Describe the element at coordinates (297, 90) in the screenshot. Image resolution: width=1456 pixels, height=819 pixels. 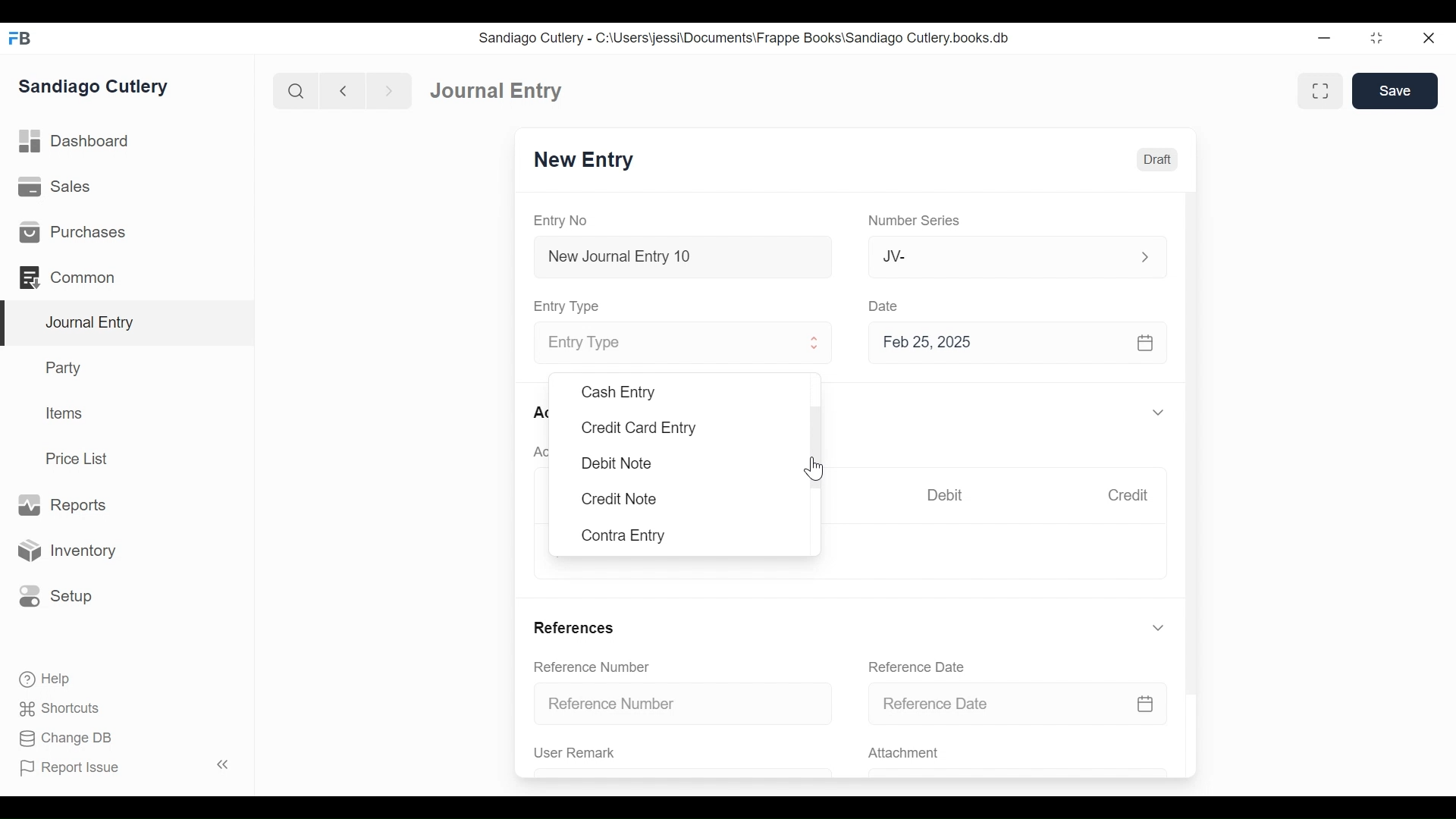
I see `Search` at that location.